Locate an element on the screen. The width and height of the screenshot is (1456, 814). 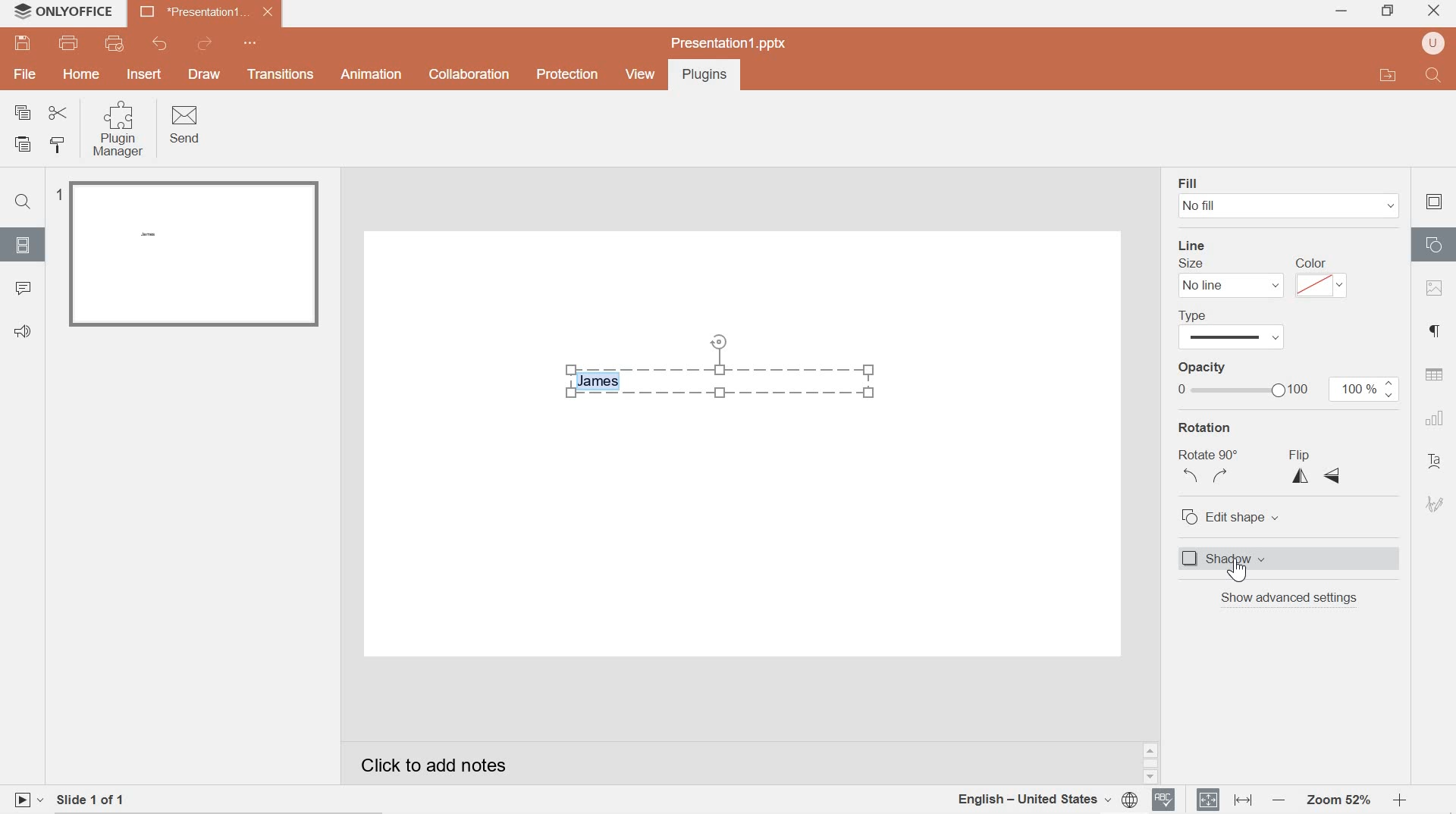
edit shape is located at coordinates (1255, 516).